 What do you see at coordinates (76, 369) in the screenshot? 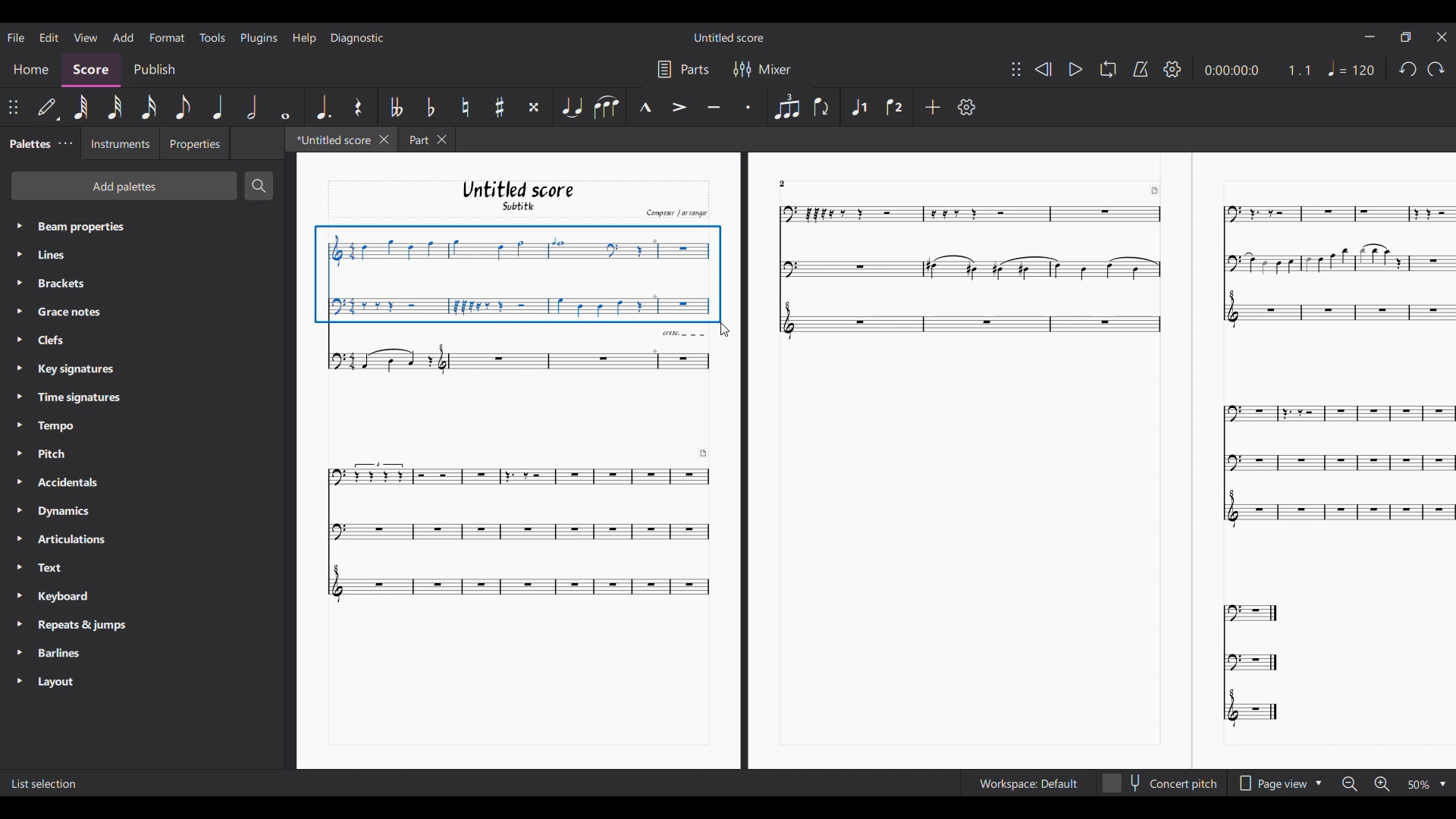
I see `Key Signatures` at bounding box center [76, 369].